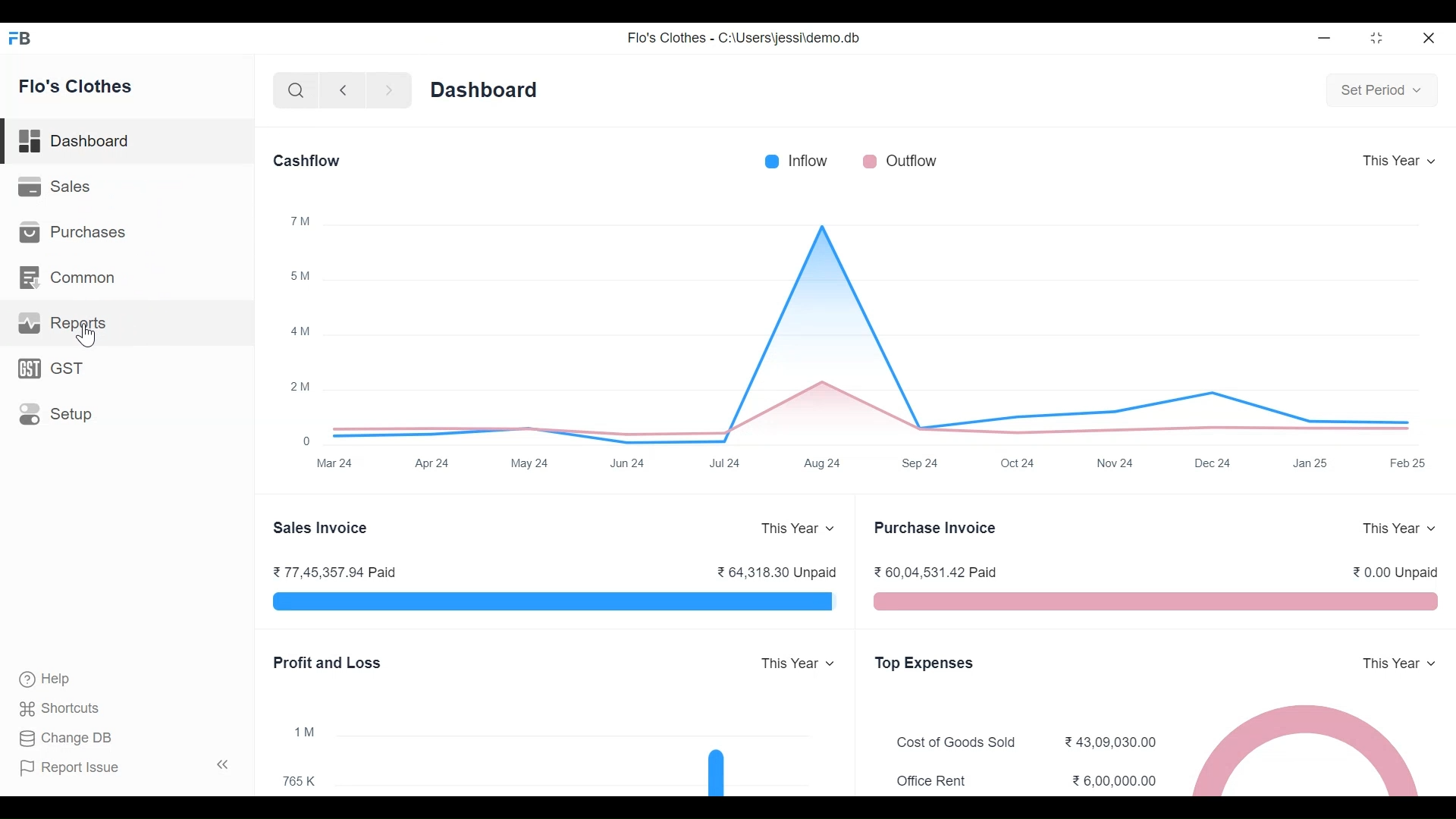  I want to click on Move back, so click(341, 89).